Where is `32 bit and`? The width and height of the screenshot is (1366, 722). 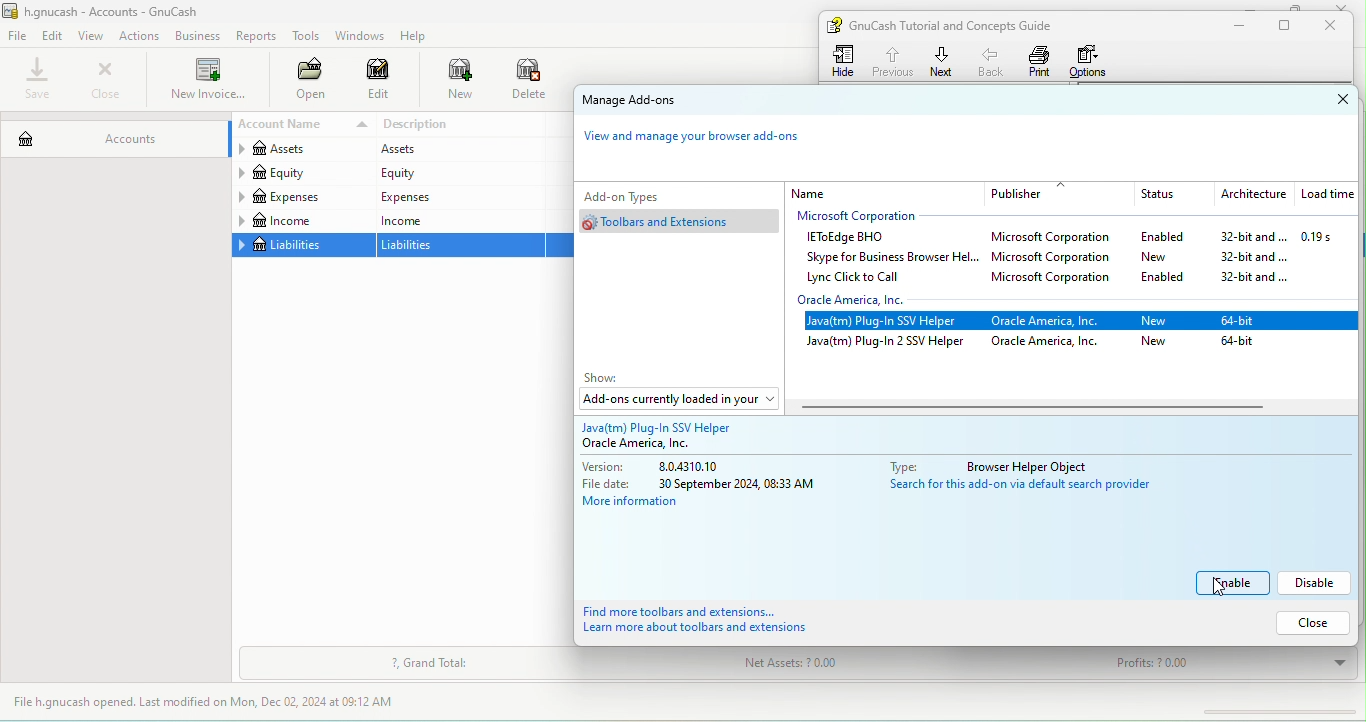
32 bit and is located at coordinates (1253, 257).